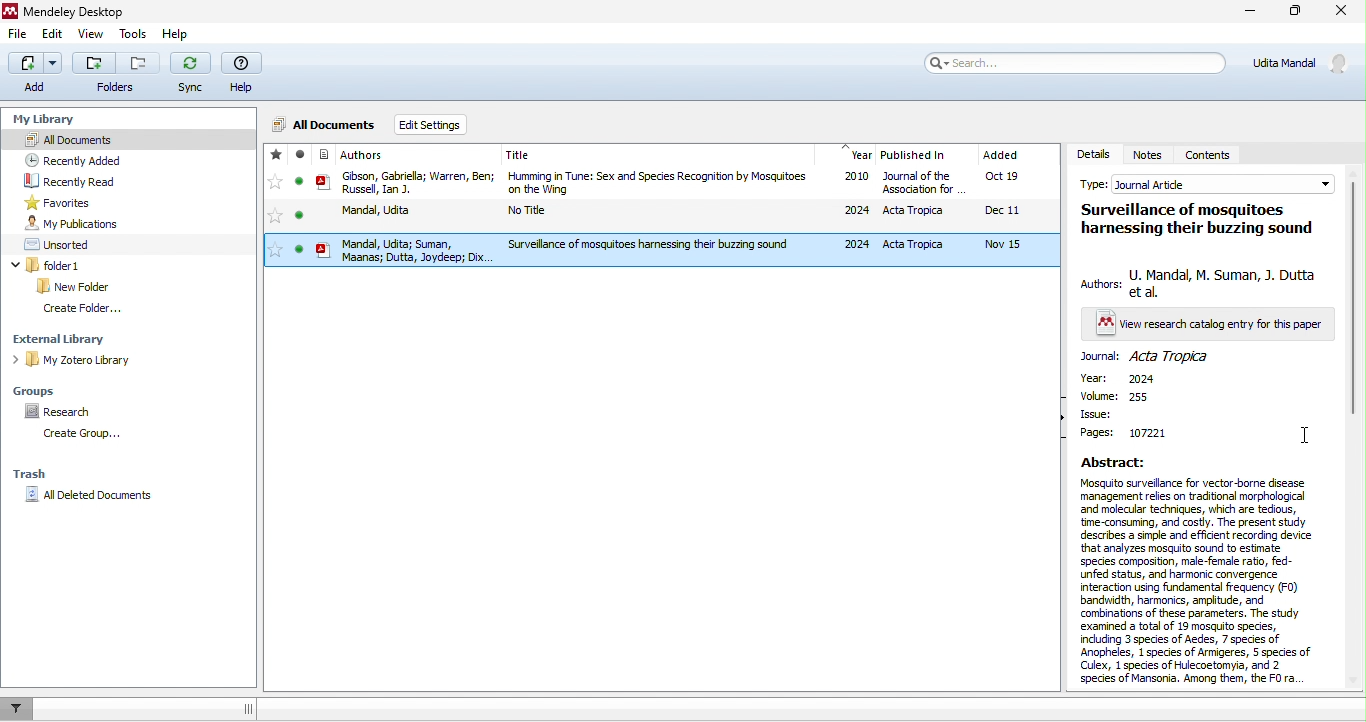 The width and height of the screenshot is (1366, 722). What do you see at coordinates (92, 435) in the screenshot?
I see `create group` at bounding box center [92, 435].